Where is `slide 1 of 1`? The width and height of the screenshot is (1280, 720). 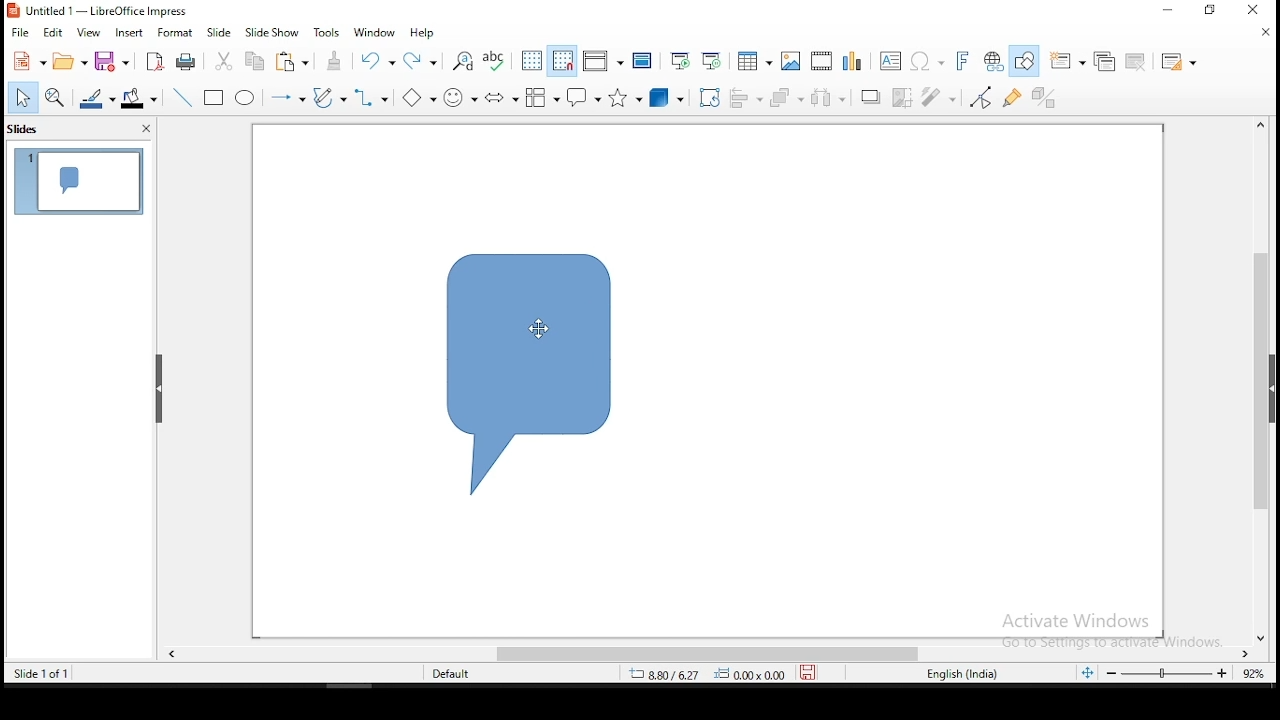 slide 1 of 1 is located at coordinates (36, 674).